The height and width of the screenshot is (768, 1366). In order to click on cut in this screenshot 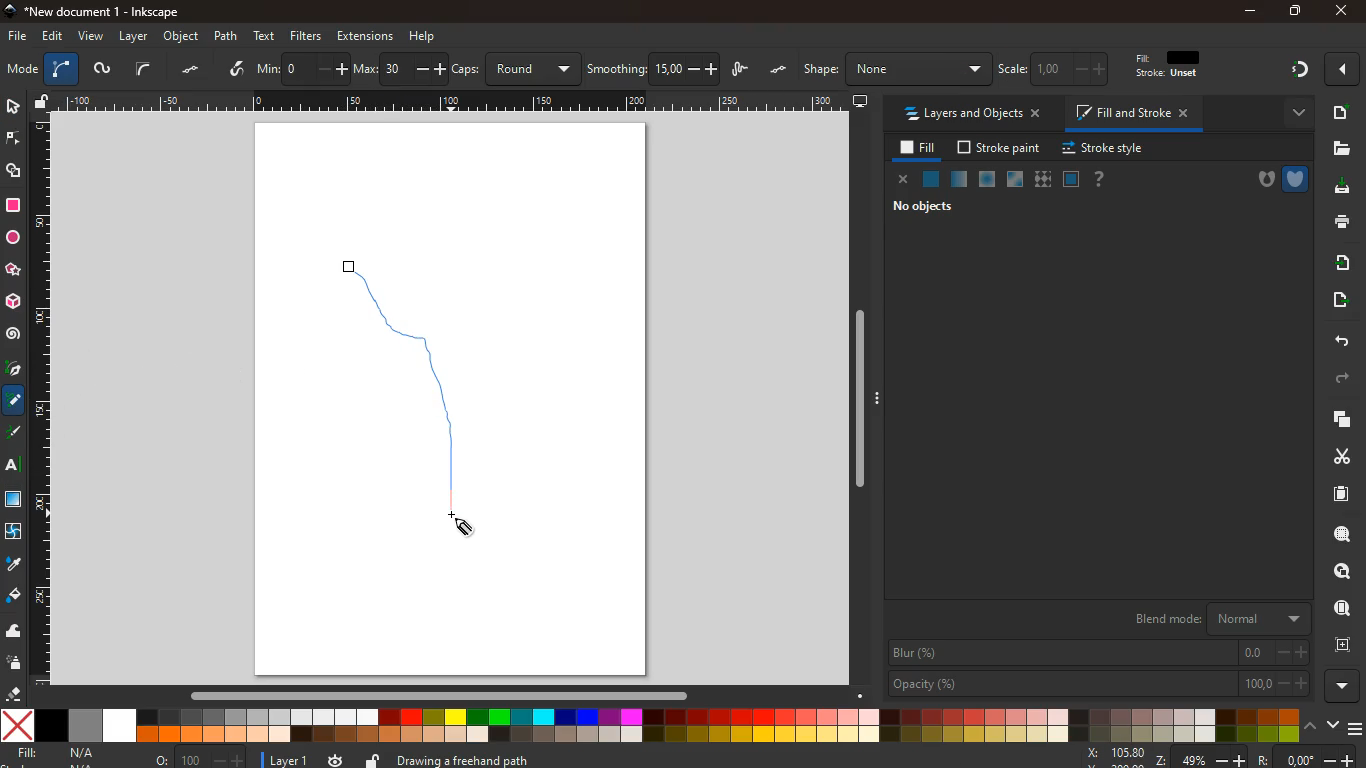, I will do `click(1334, 456)`.